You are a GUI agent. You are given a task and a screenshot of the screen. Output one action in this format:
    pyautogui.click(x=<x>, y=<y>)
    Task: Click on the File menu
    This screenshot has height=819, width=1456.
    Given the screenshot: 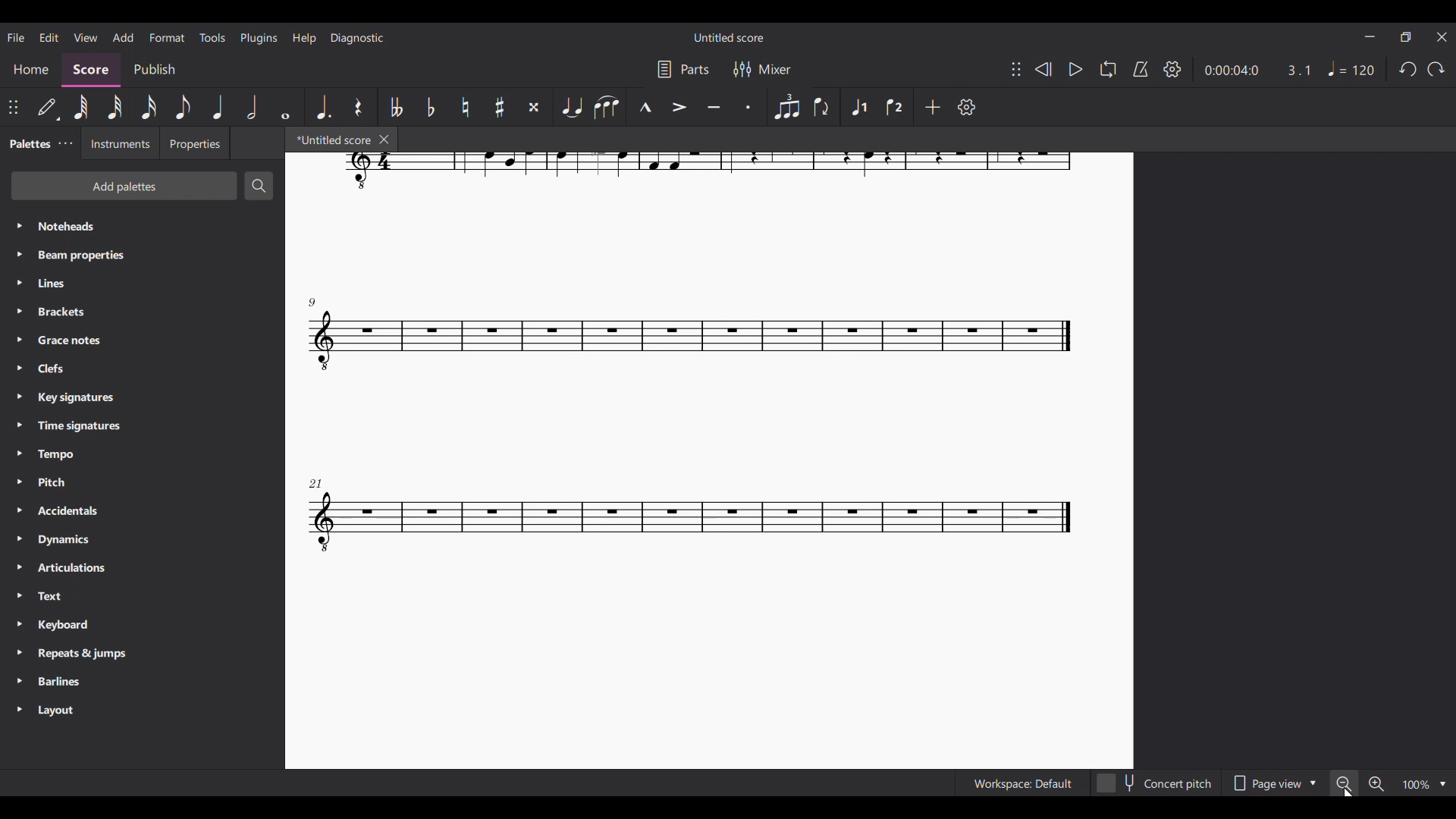 What is the action you would take?
    pyautogui.click(x=17, y=38)
    